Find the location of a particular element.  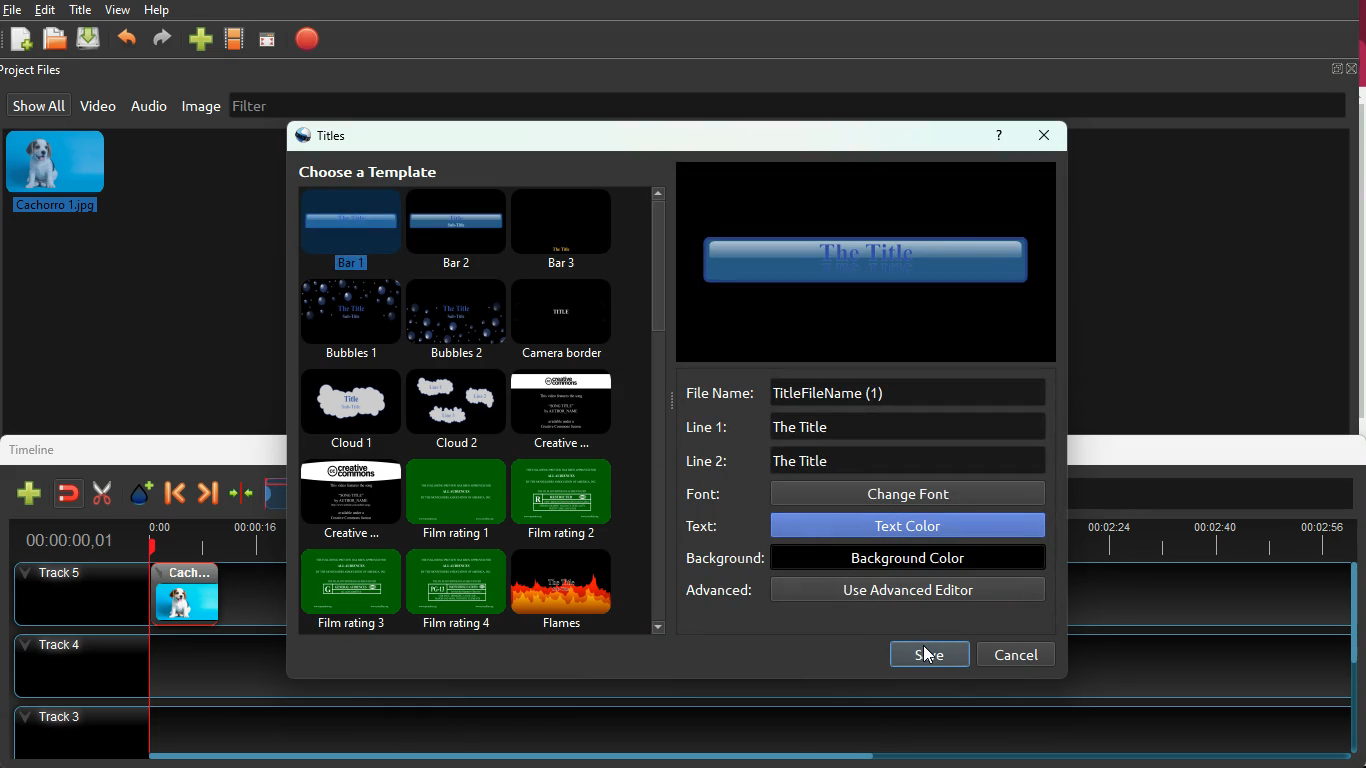

file is located at coordinates (13, 10).